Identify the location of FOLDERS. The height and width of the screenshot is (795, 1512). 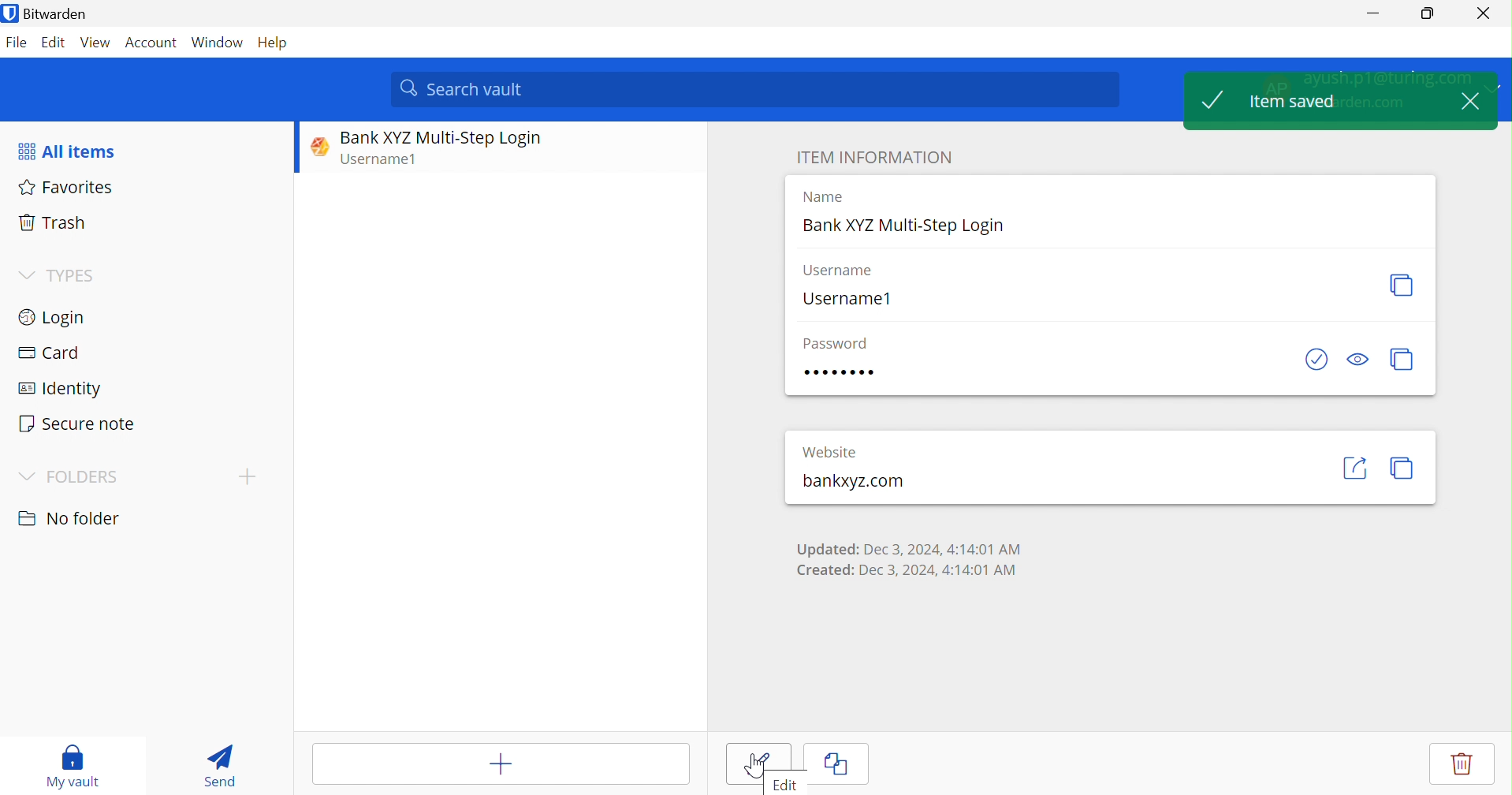
(84, 477).